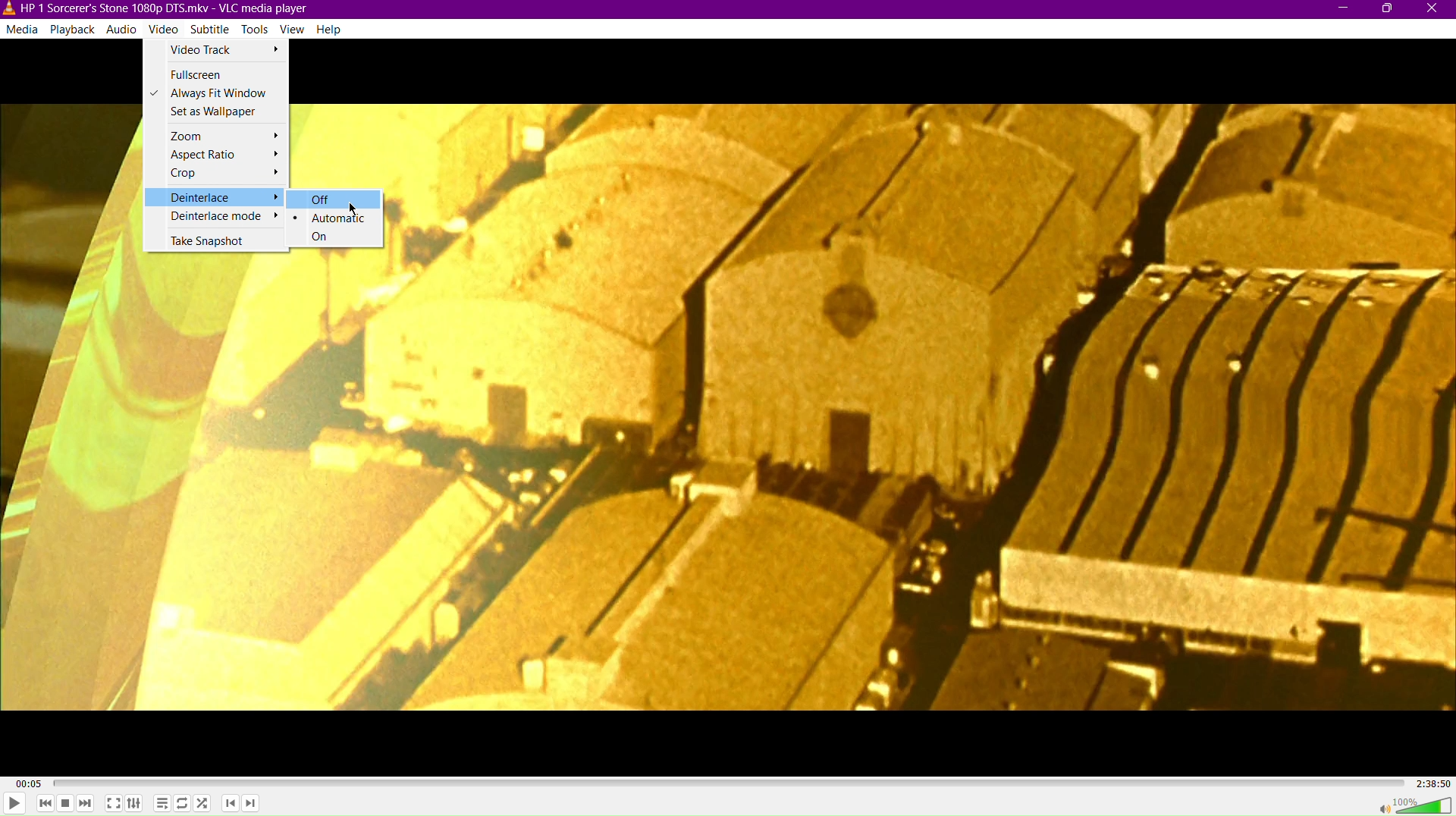 The width and height of the screenshot is (1456, 816). What do you see at coordinates (217, 74) in the screenshot?
I see `Fullscreen` at bounding box center [217, 74].